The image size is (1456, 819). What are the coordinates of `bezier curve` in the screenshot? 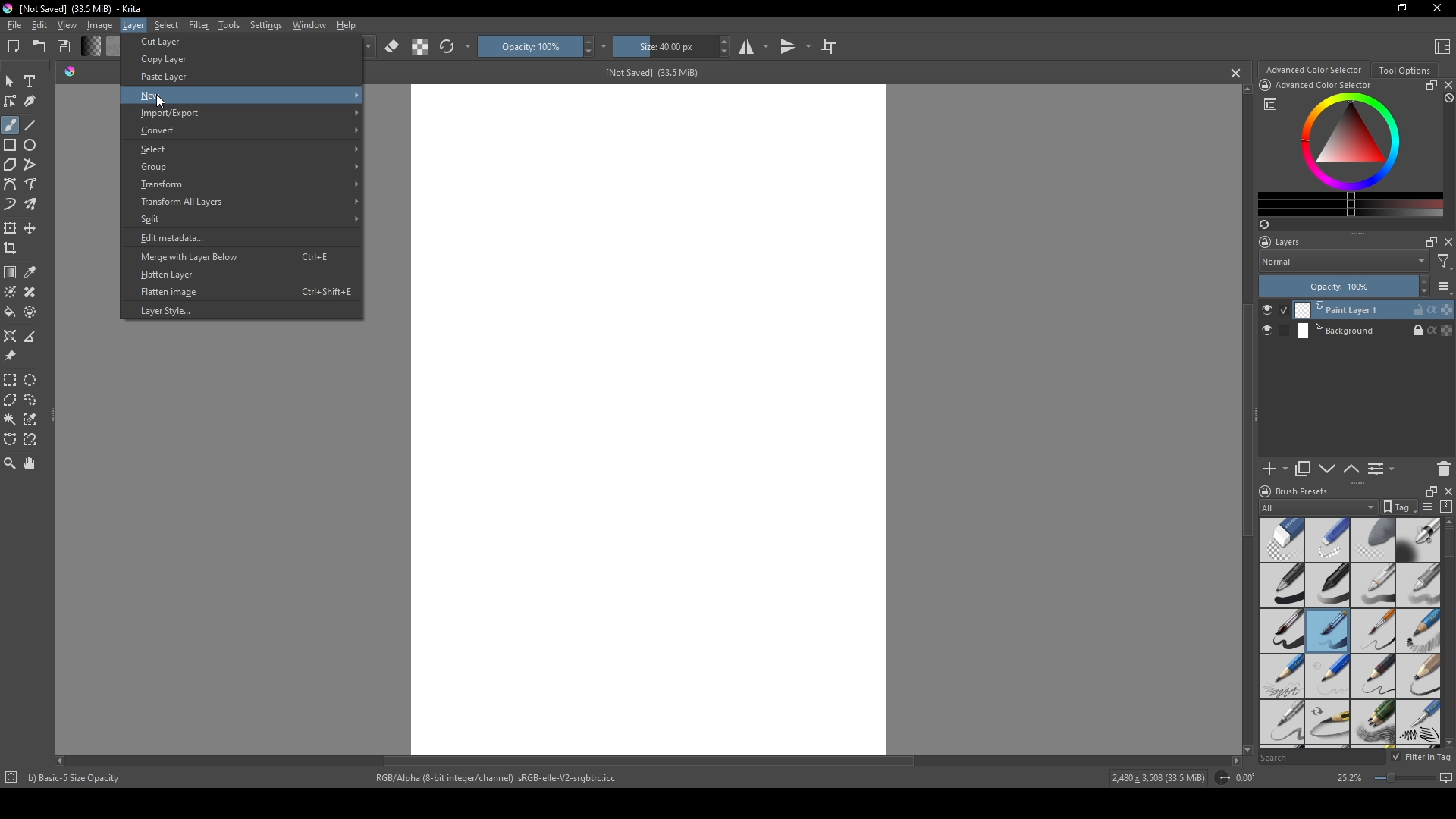 It's located at (11, 440).